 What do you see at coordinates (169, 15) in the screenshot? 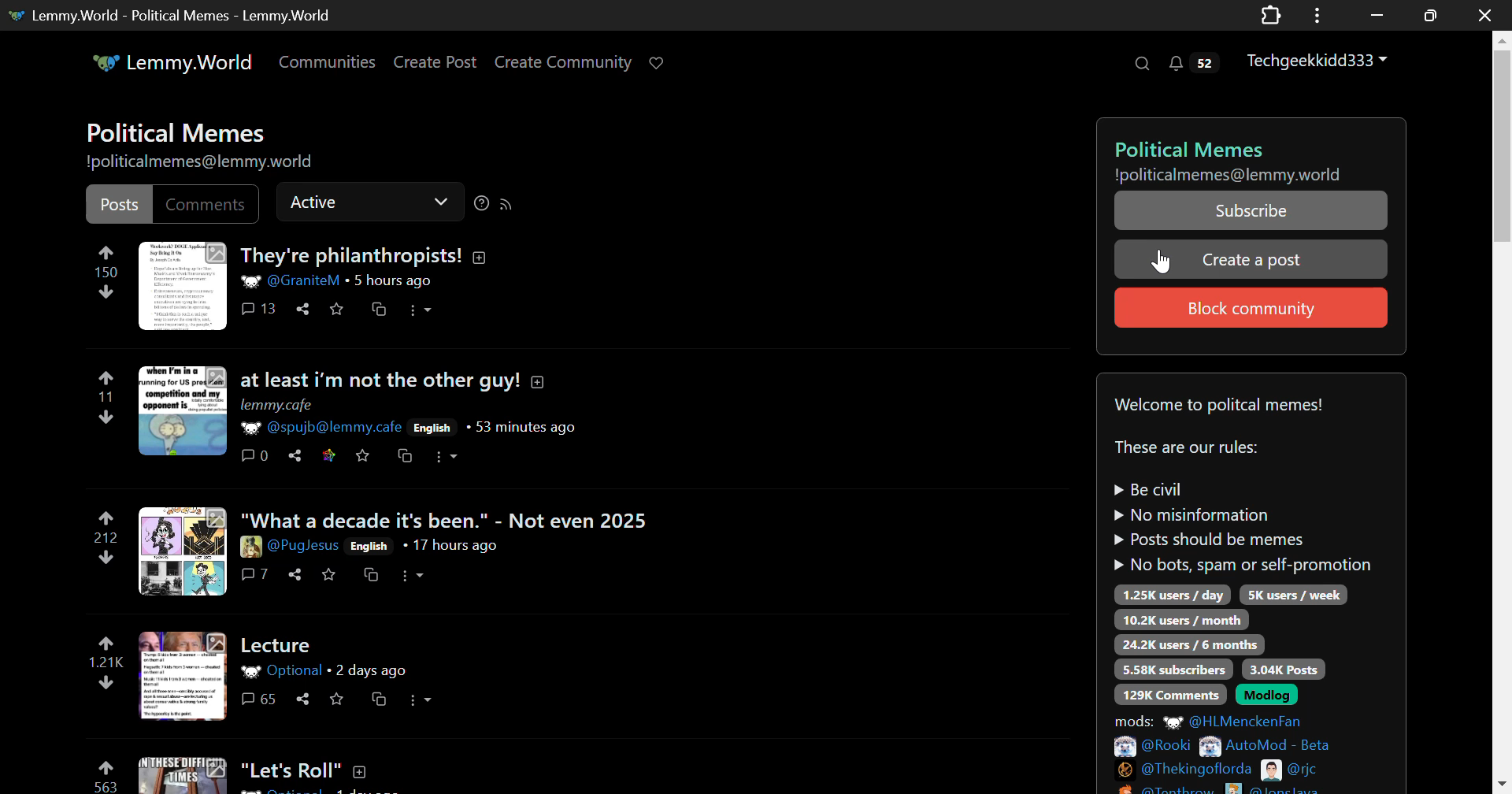
I see `Lemmy.World - Political Memes - Lemmy.World` at bounding box center [169, 15].